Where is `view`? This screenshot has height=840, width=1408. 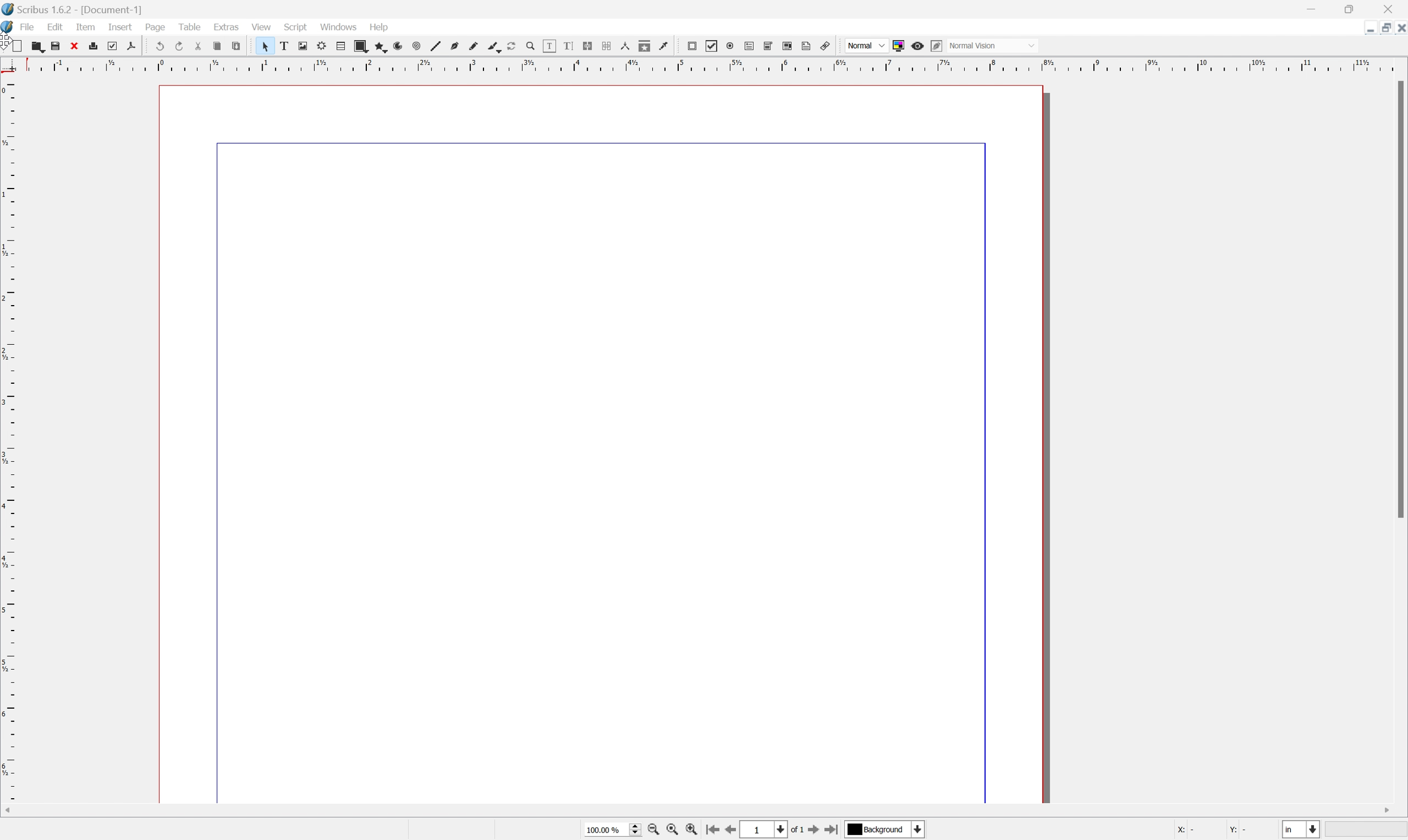
view is located at coordinates (263, 27).